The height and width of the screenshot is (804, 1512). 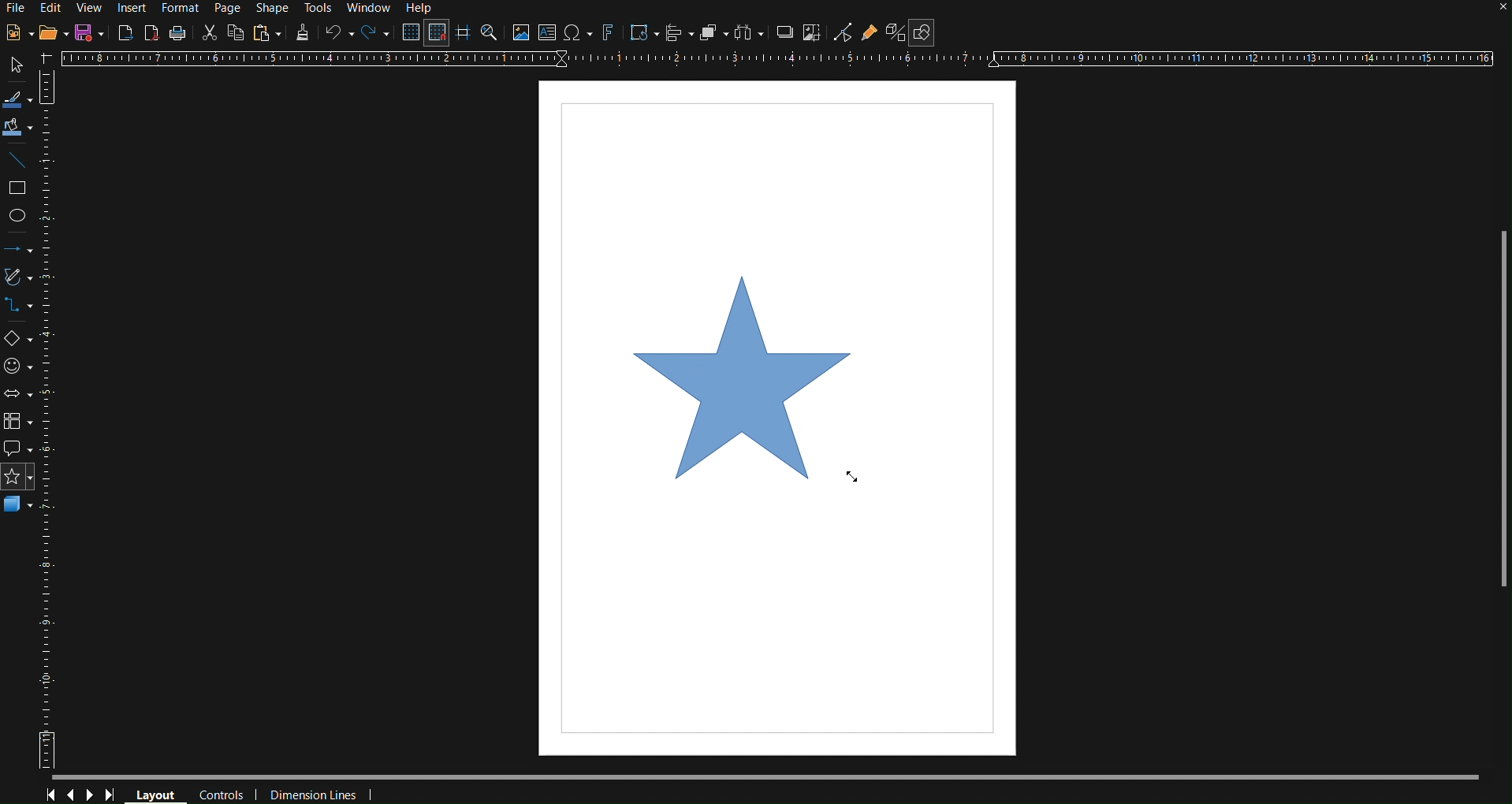 What do you see at coordinates (17, 100) in the screenshot?
I see `Select` at bounding box center [17, 100].